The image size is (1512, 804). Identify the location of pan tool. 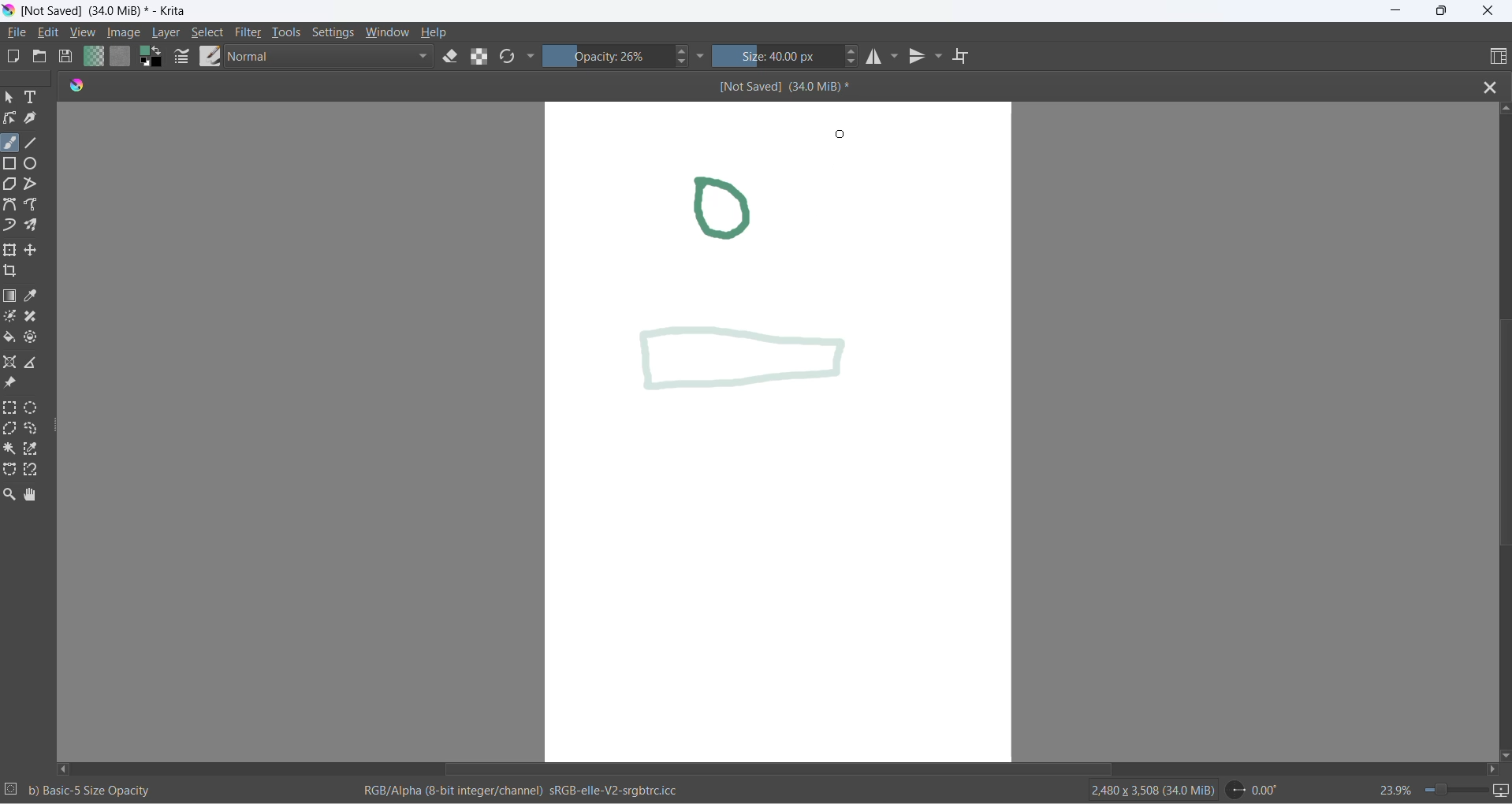
(32, 492).